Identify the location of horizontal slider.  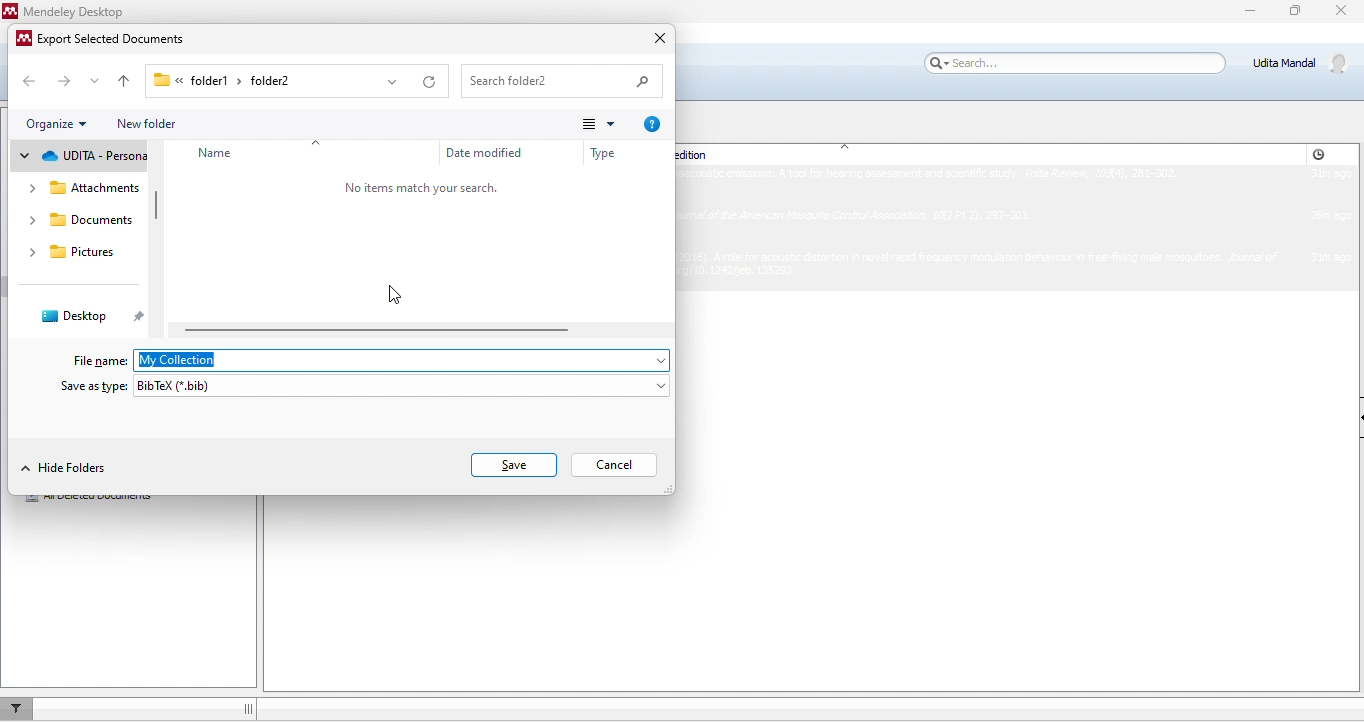
(385, 329).